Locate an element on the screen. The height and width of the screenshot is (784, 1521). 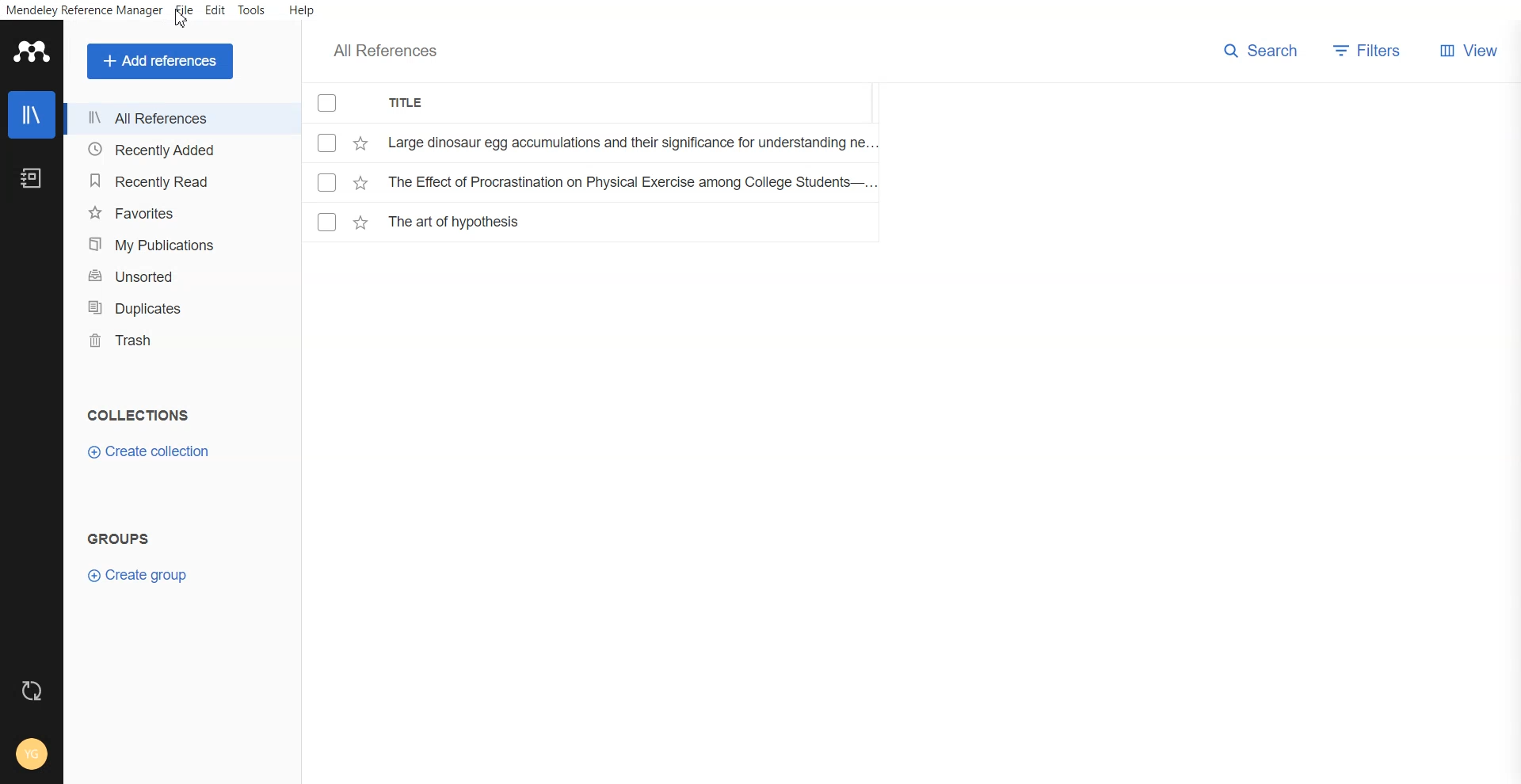
Logo is located at coordinates (31, 53).